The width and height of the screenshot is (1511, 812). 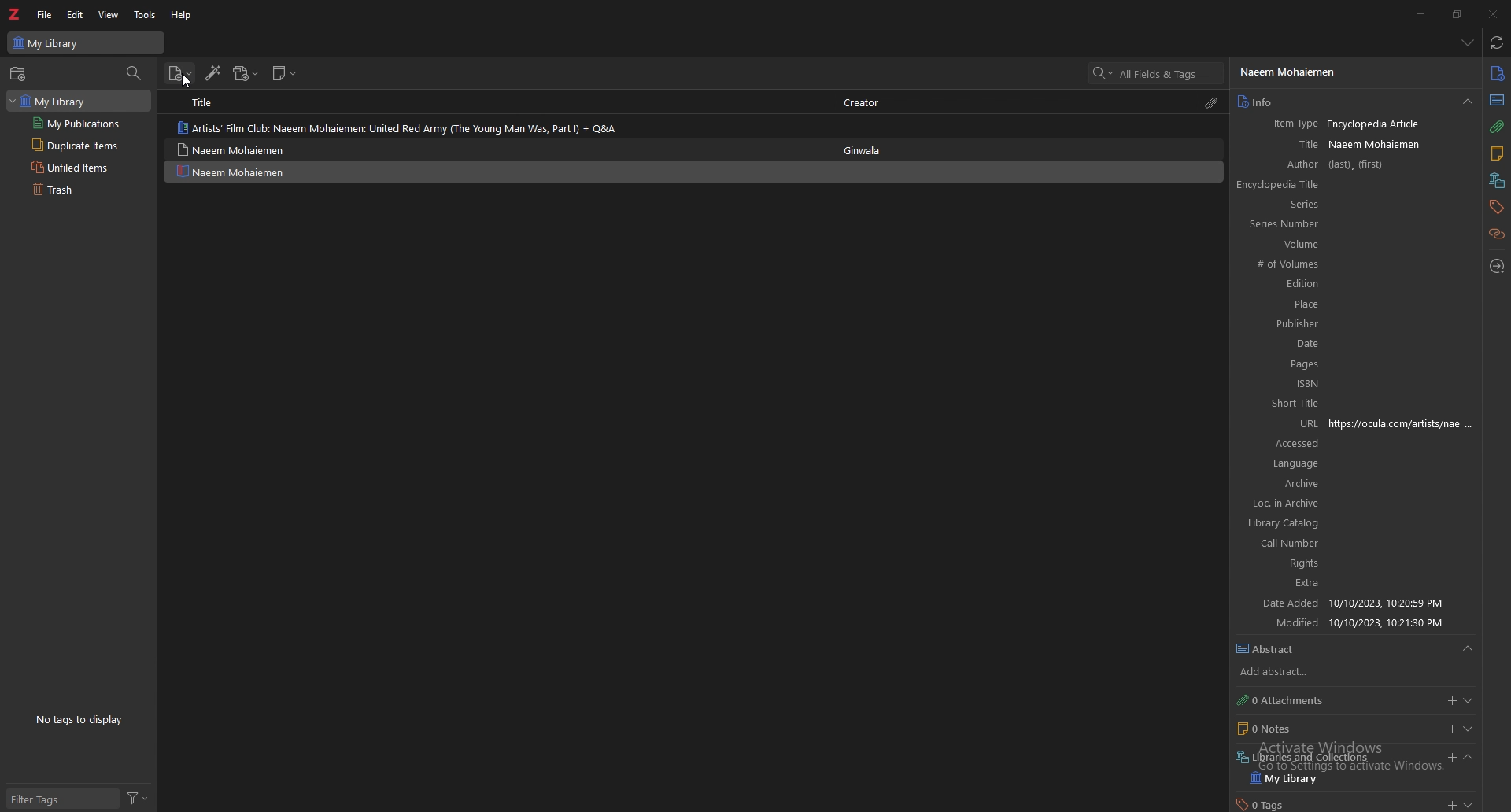 I want to click on drop down, so click(x=1467, y=42).